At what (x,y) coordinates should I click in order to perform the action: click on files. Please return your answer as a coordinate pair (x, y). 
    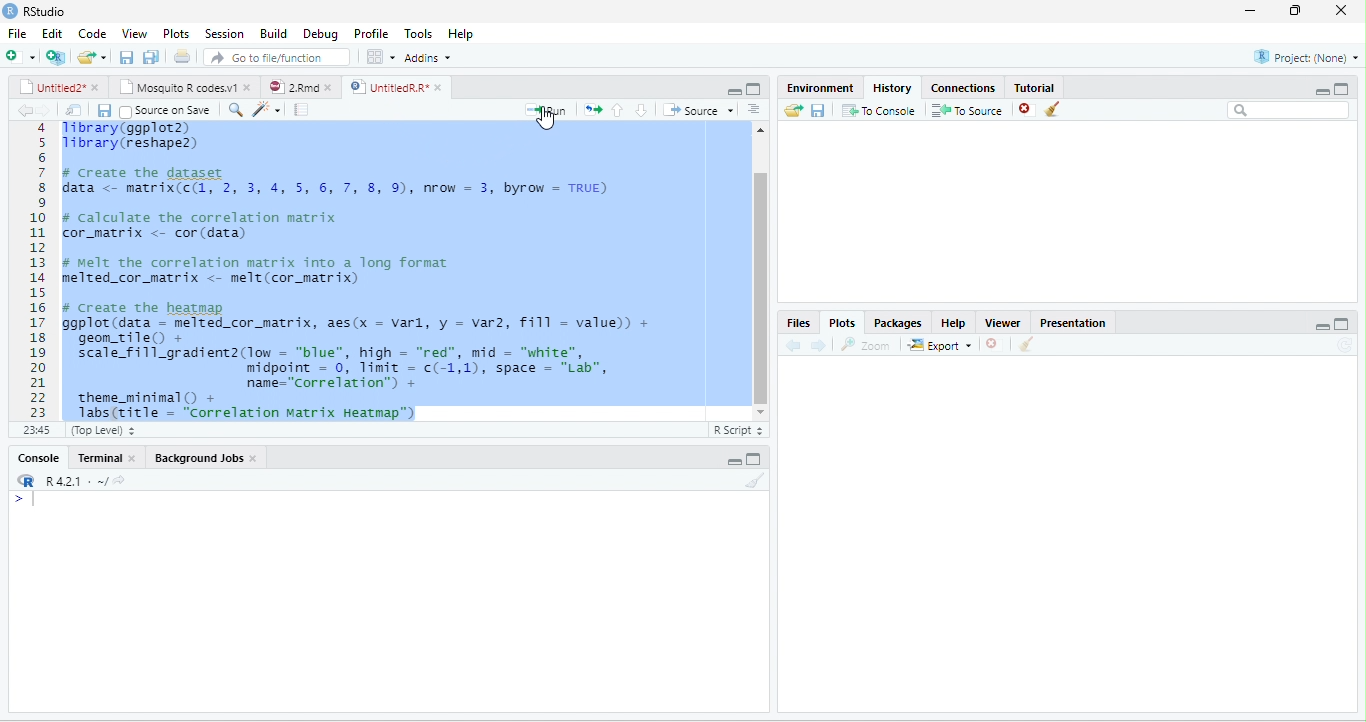
    Looking at the image, I should click on (797, 322).